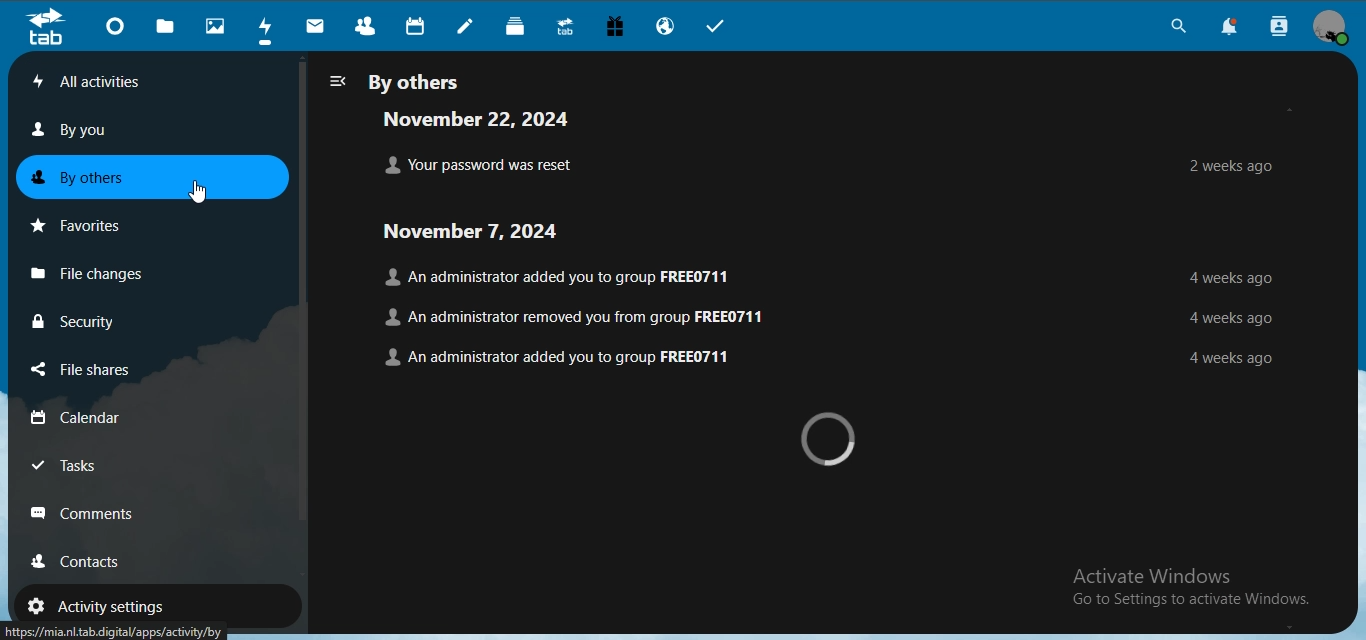 The height and width of the screenshot is (640, 1366). What do you see at coordinates (1331, 28) in the screenshot?
I see `view profile` at bounding box center [1331, 28].